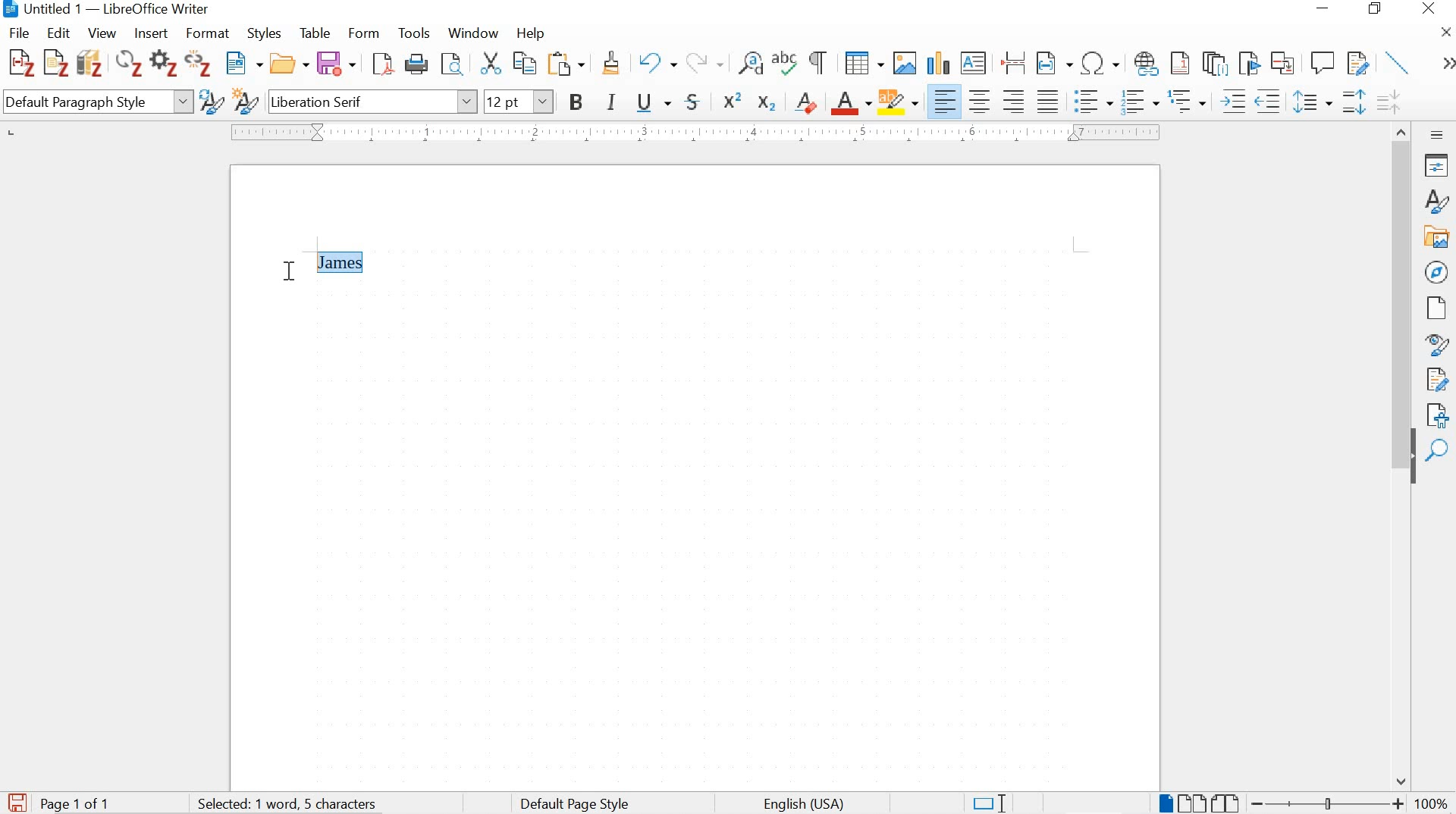  I want to click on check spelling, so click(786, 65).